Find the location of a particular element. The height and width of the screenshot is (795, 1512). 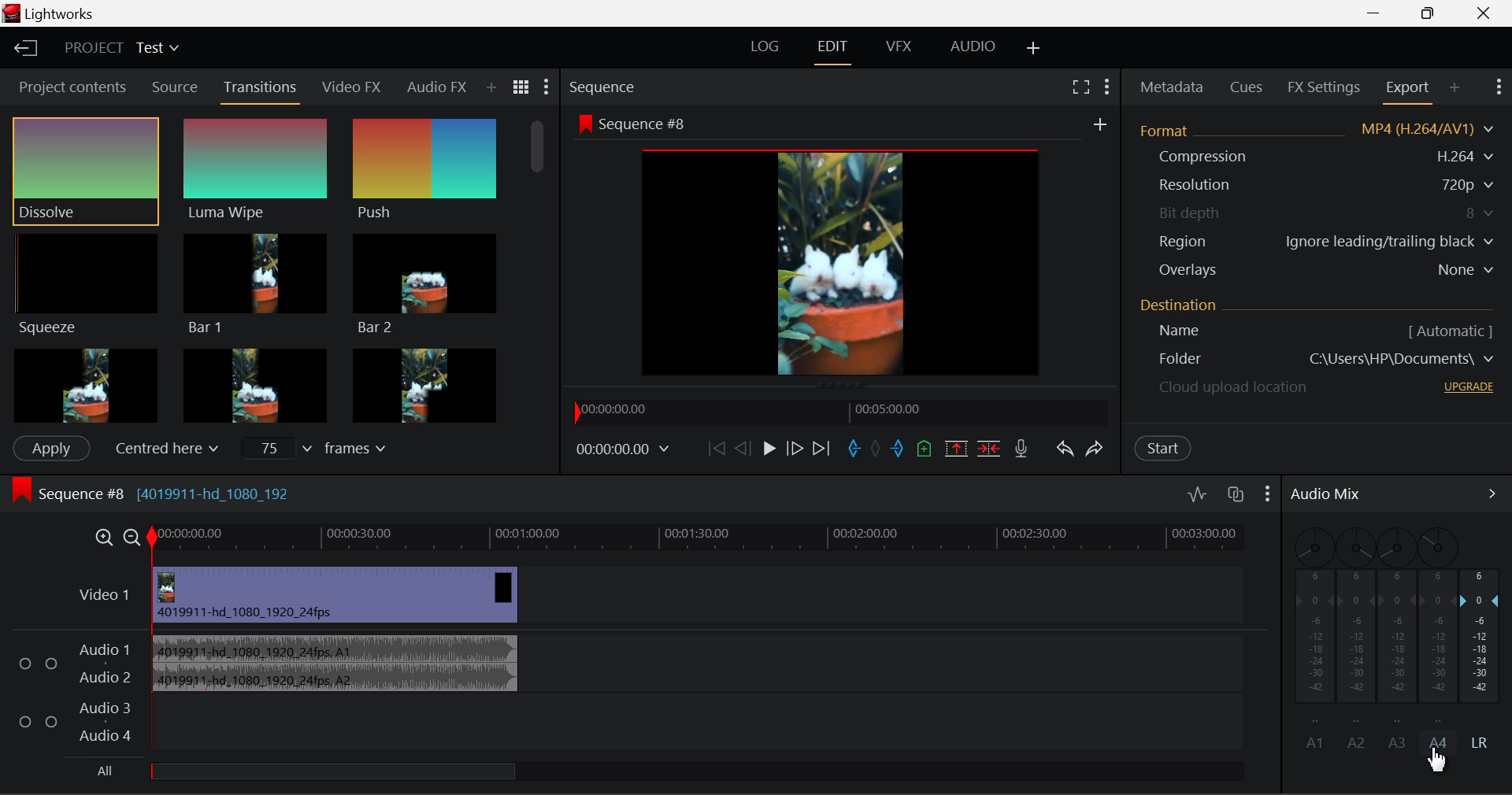

Audio Input Field is located at coordinates (638, 693).